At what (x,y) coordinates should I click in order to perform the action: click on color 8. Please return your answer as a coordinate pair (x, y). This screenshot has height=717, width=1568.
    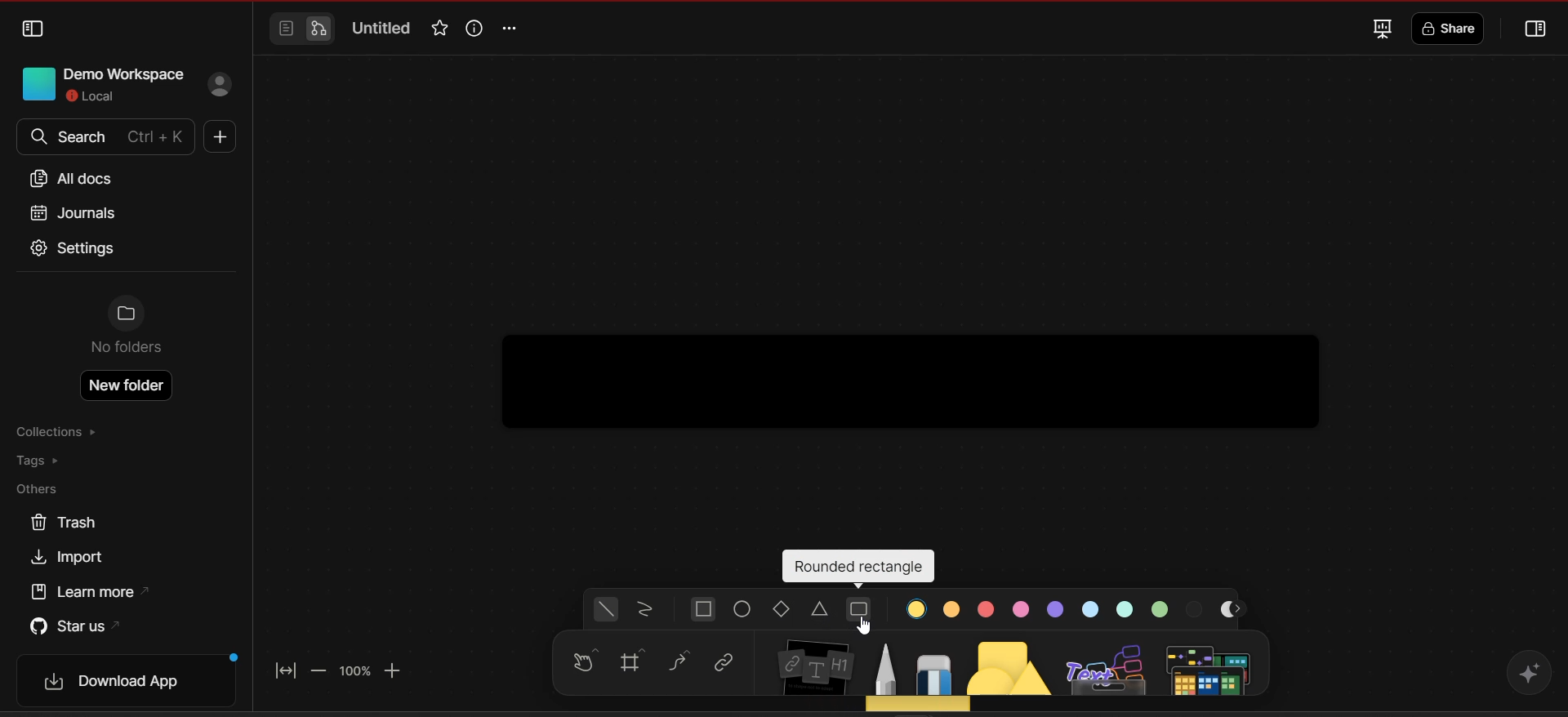
    Looking at the image, I should click on (1162, 608).